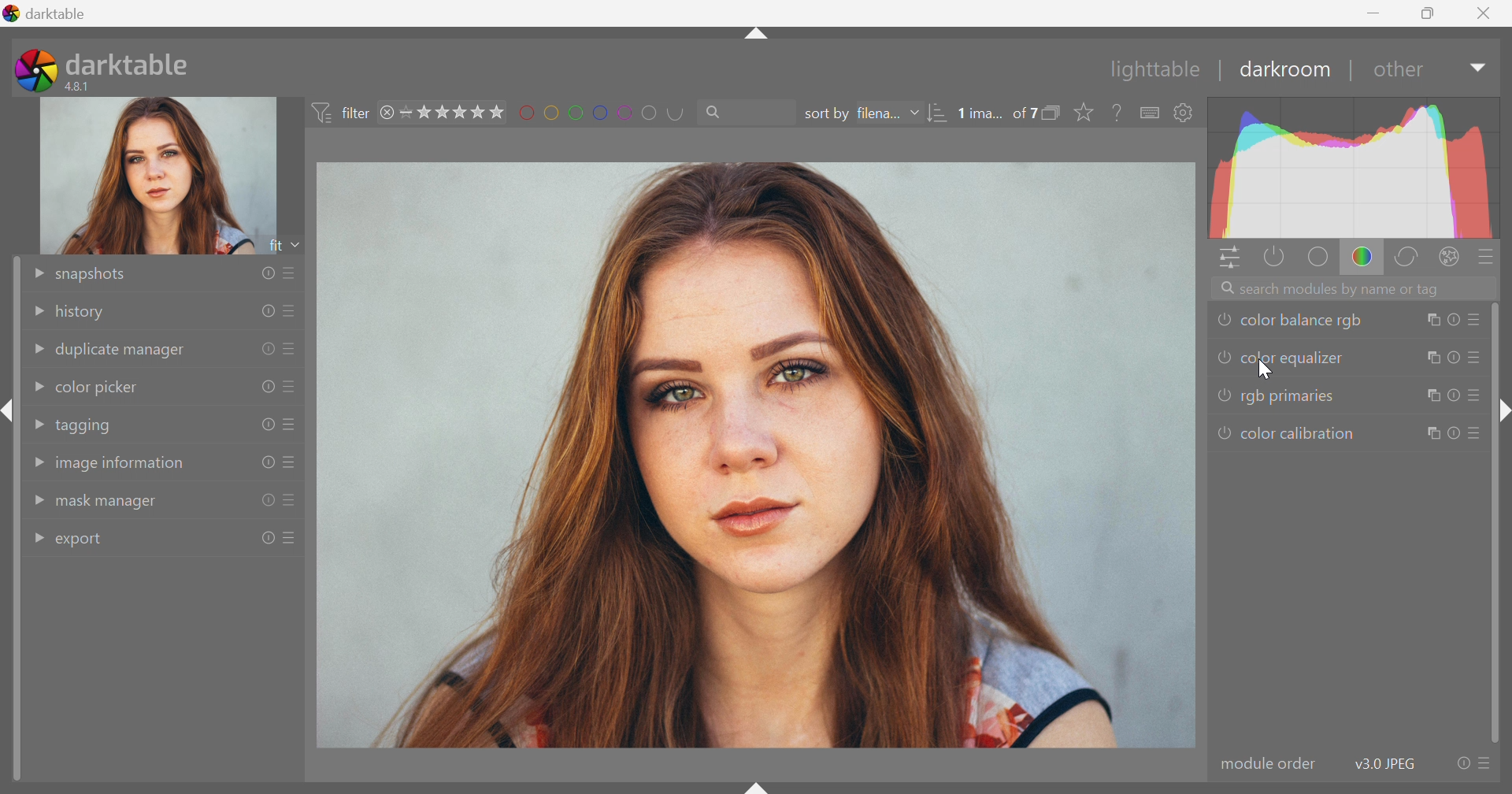  Describe the element at coordinates (1269, 762) in the screenshot. I see `modular order` at that location.